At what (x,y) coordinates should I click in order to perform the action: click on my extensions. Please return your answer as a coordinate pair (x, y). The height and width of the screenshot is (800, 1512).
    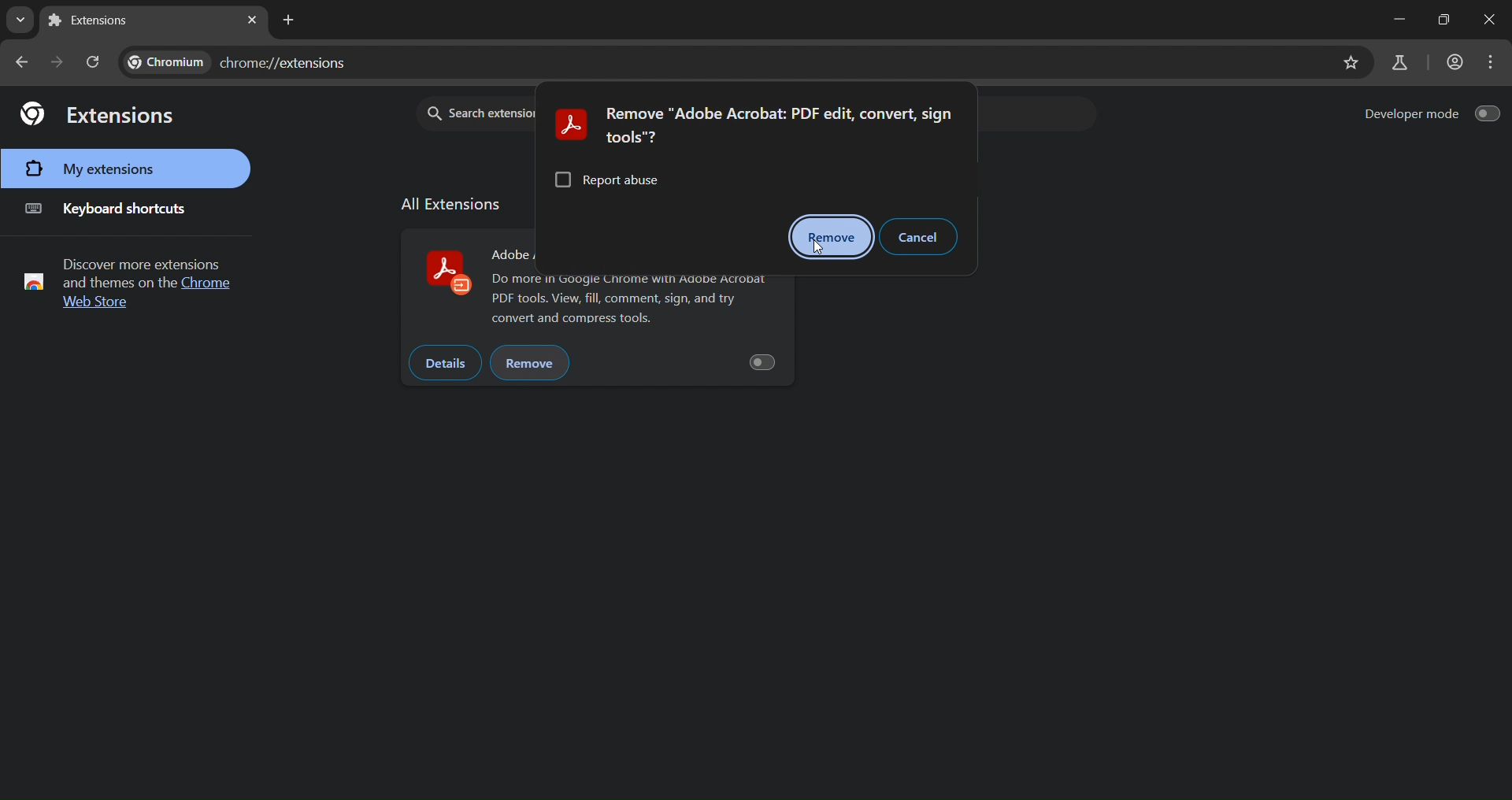
    Looking at the image, I should click on (93, 170).